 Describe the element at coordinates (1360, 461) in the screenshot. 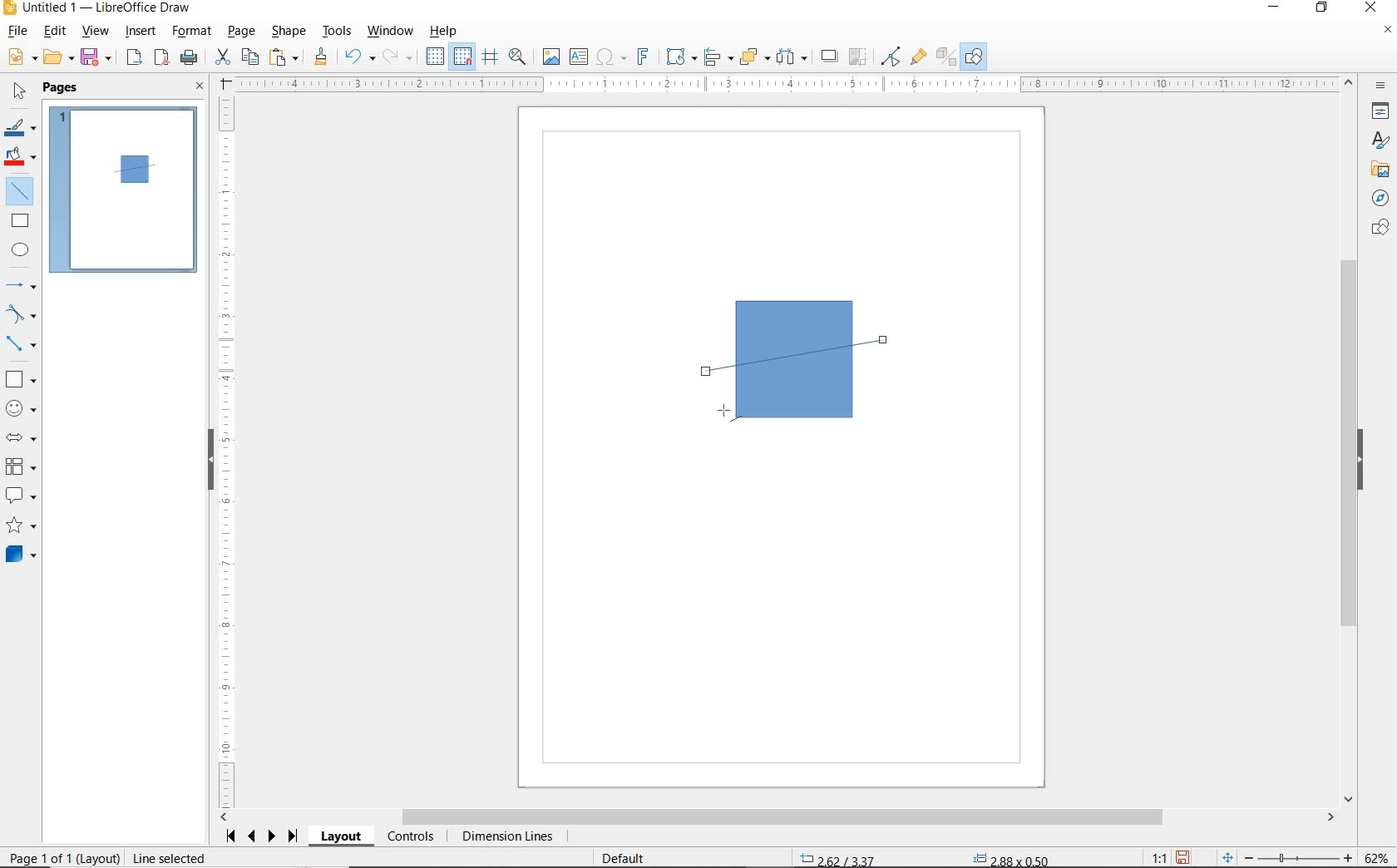

I see `HIDE` at that location.